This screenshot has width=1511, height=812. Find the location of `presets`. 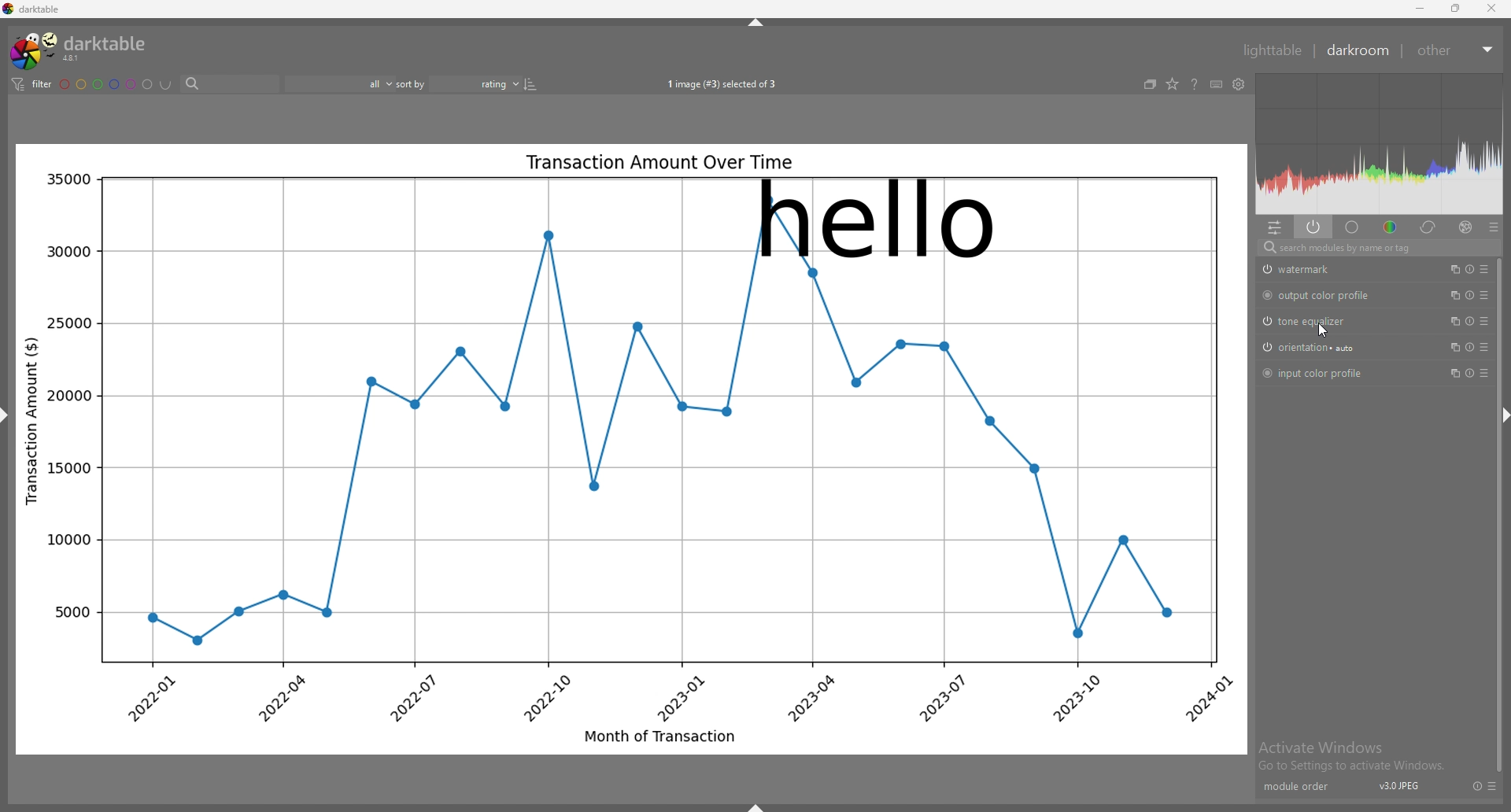

presets is located at coordinates (1491, 786).